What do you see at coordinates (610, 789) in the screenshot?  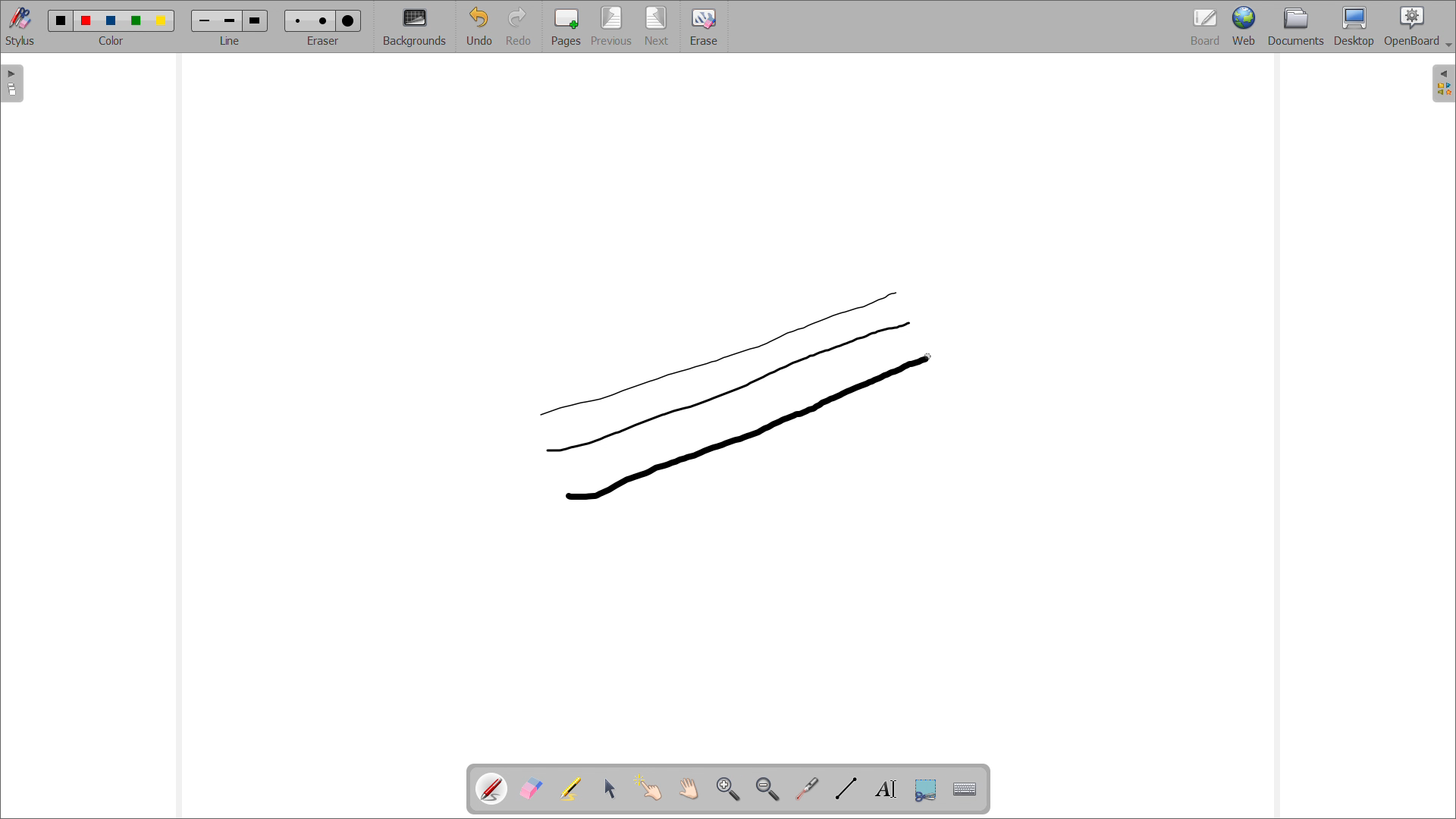 I see `select and modify objects` at bounding box center [610, 789].